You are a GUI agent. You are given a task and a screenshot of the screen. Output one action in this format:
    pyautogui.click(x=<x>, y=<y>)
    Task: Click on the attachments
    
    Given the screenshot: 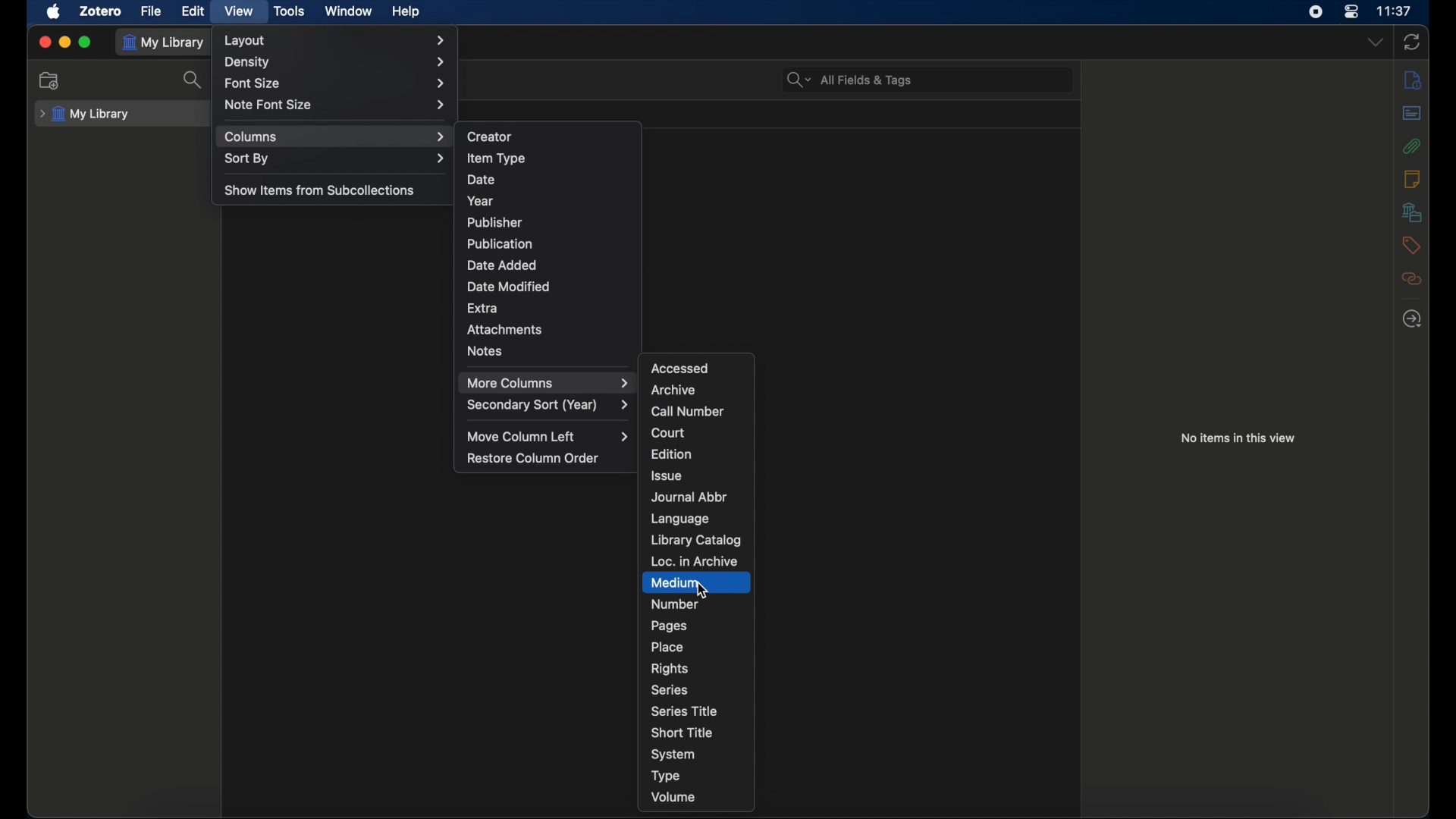 What is the action you would take?
    pyautogui.click(x=508, y=330)
    